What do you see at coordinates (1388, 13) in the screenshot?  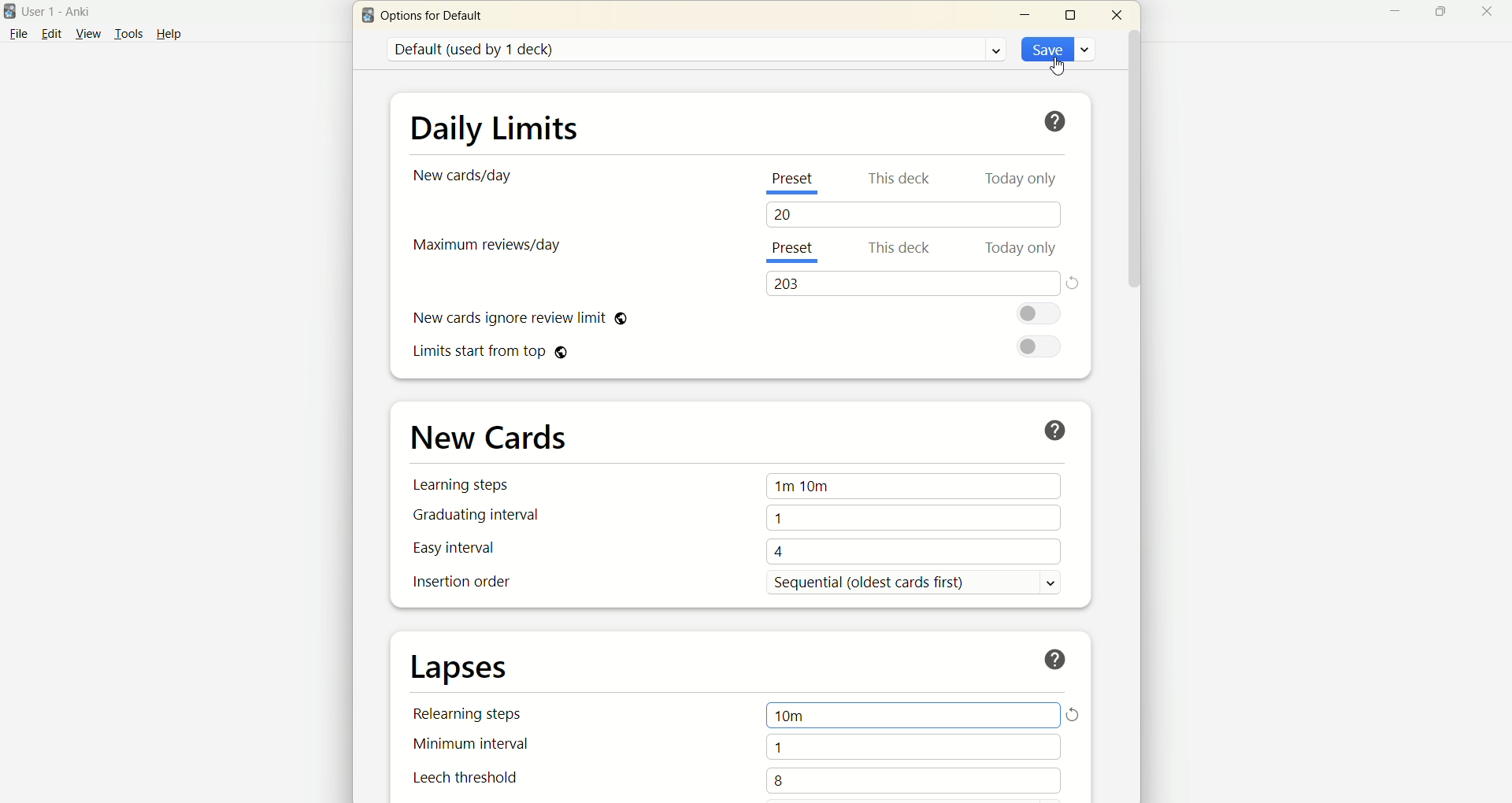 I see `minimize` at bounding box center [1388, 13].